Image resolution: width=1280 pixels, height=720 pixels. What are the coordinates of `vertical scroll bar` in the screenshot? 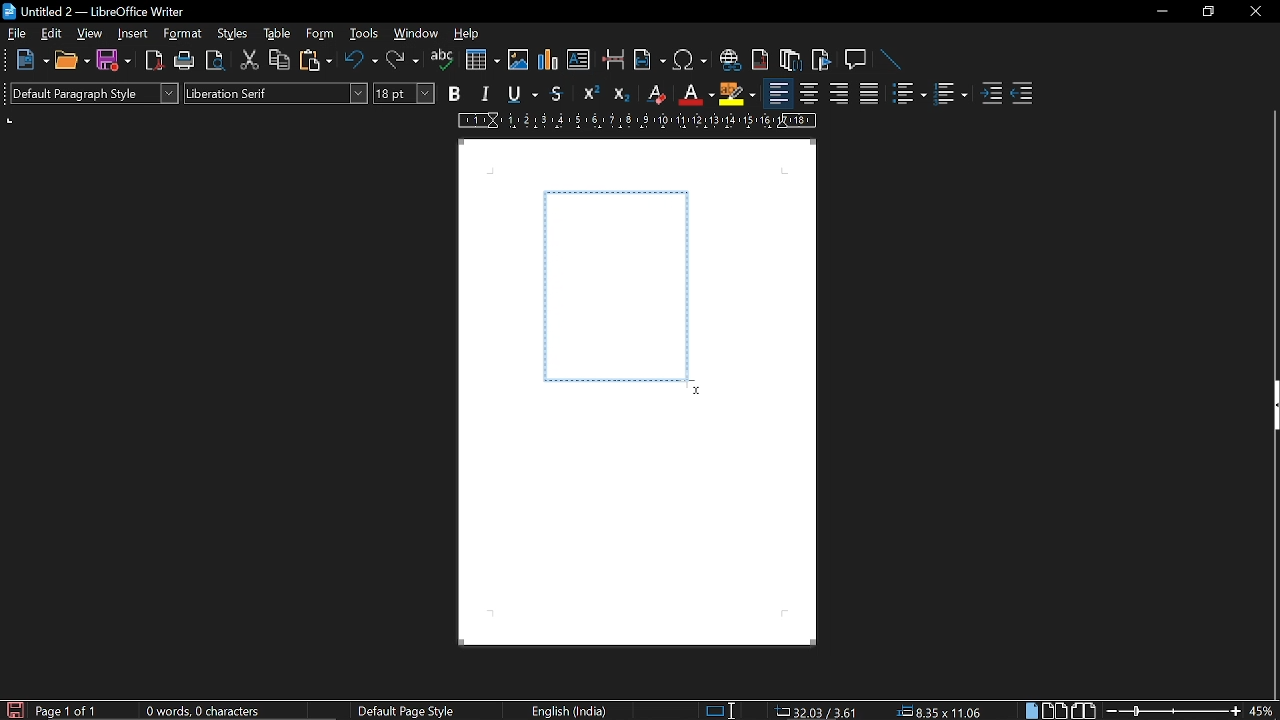 It's located at (1272, 242).